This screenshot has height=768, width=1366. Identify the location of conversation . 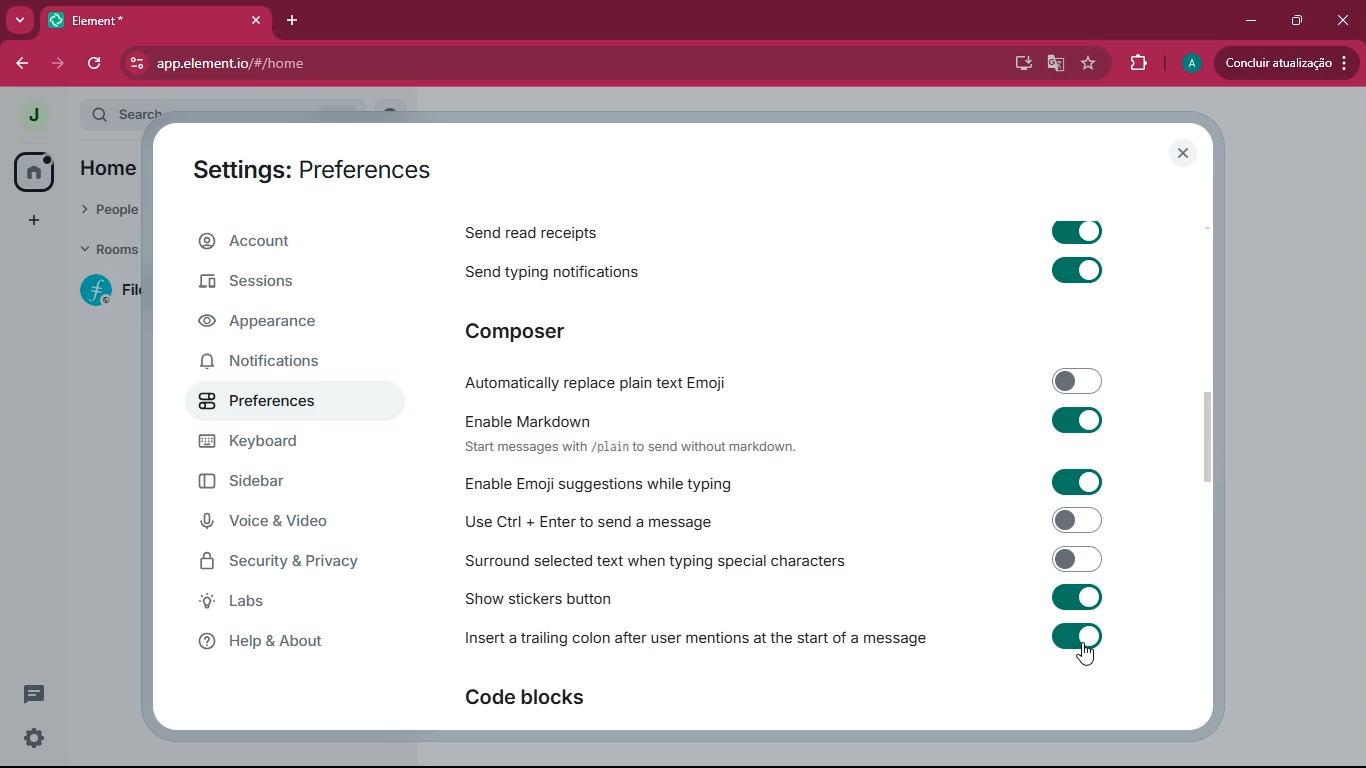
(32, 694).